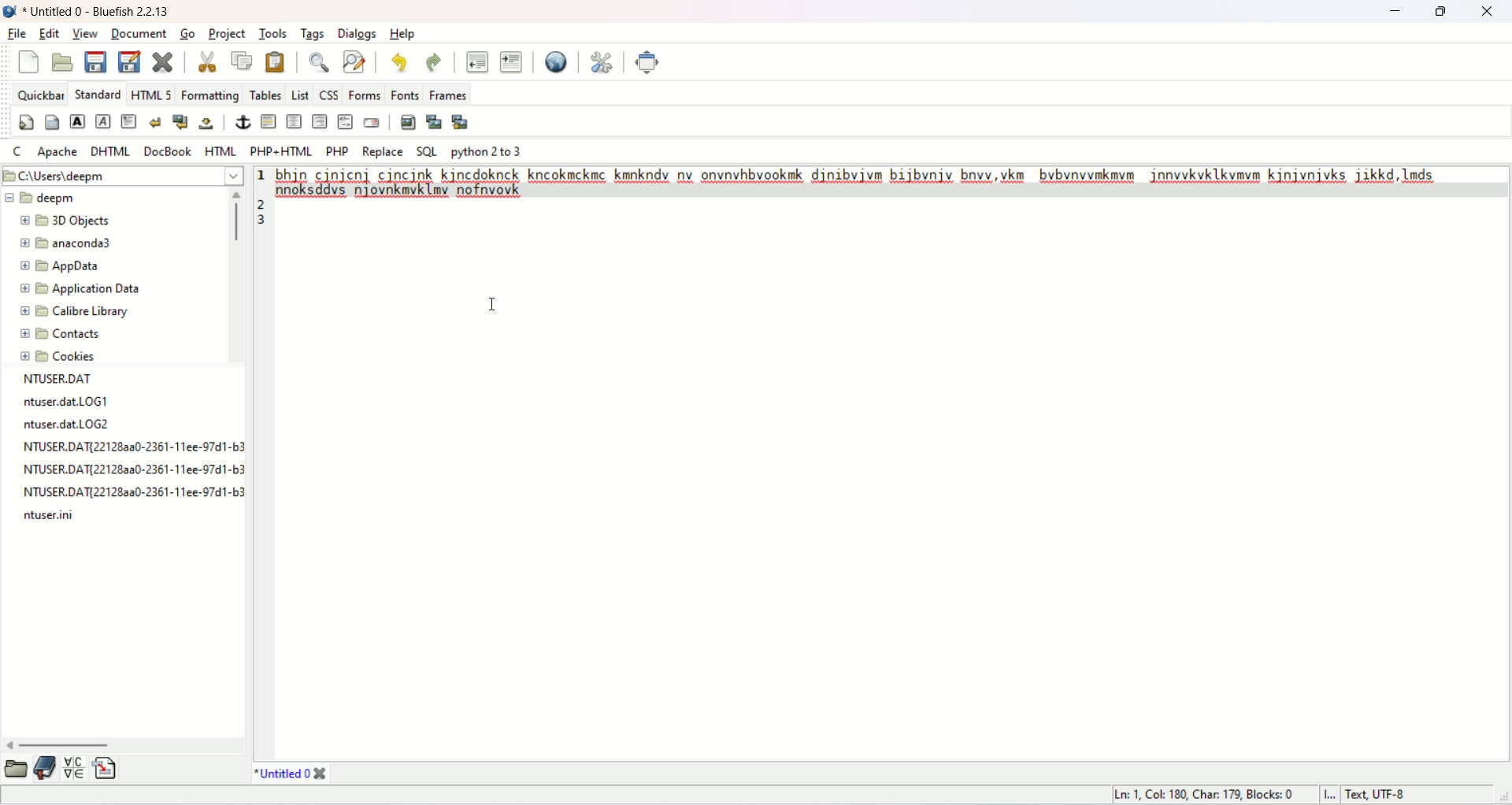 Image resolution: width=1512 pixels, height=805 pixels. Describe the element at coordinates (240, 62) in the screenshot. I see `copy` at that location.